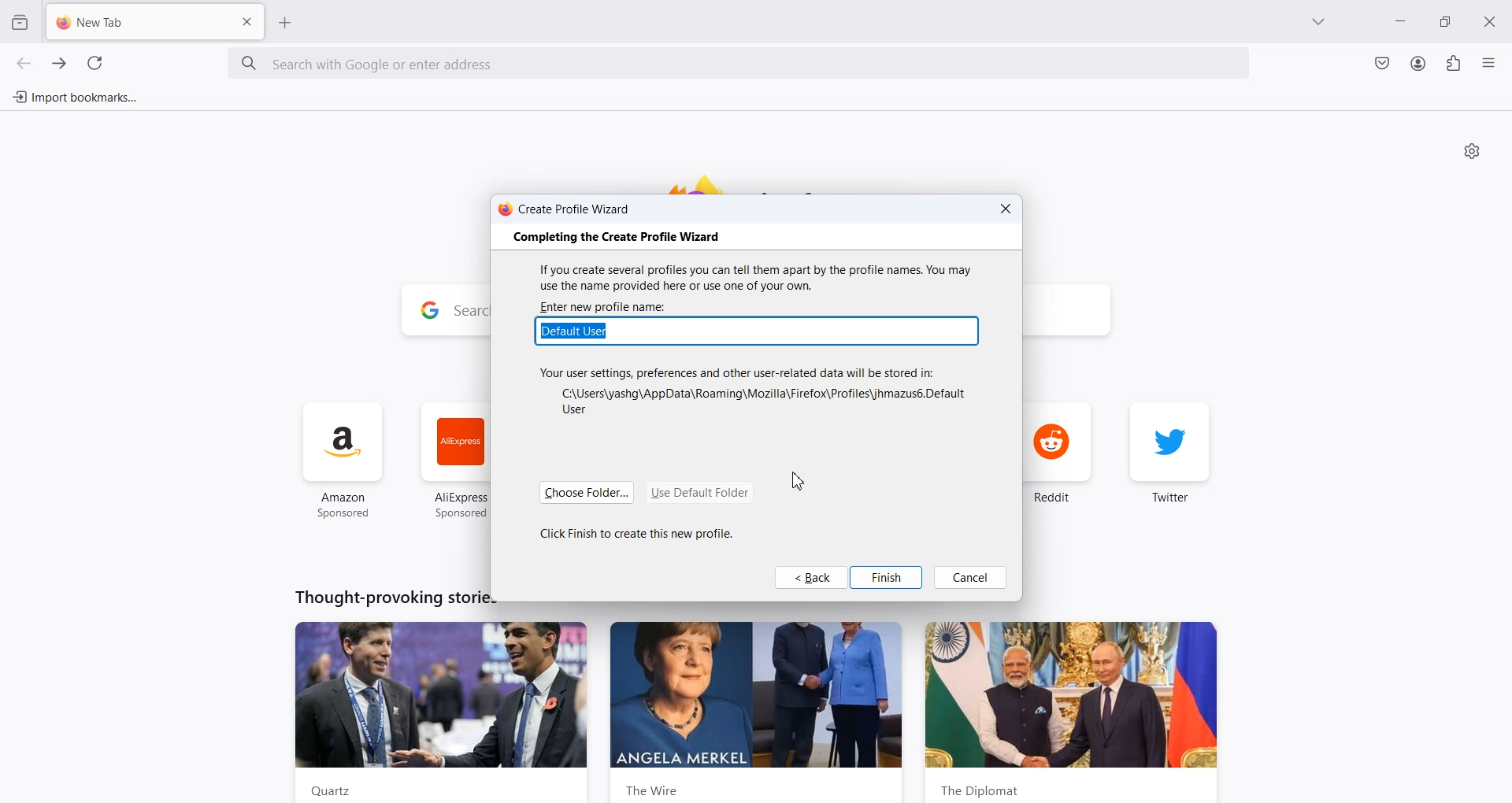 The height and width of the screenshot is (803, 1512). I want to click on Your user settings, preferences and other user-related data will be stored in:, so click(740, 371).